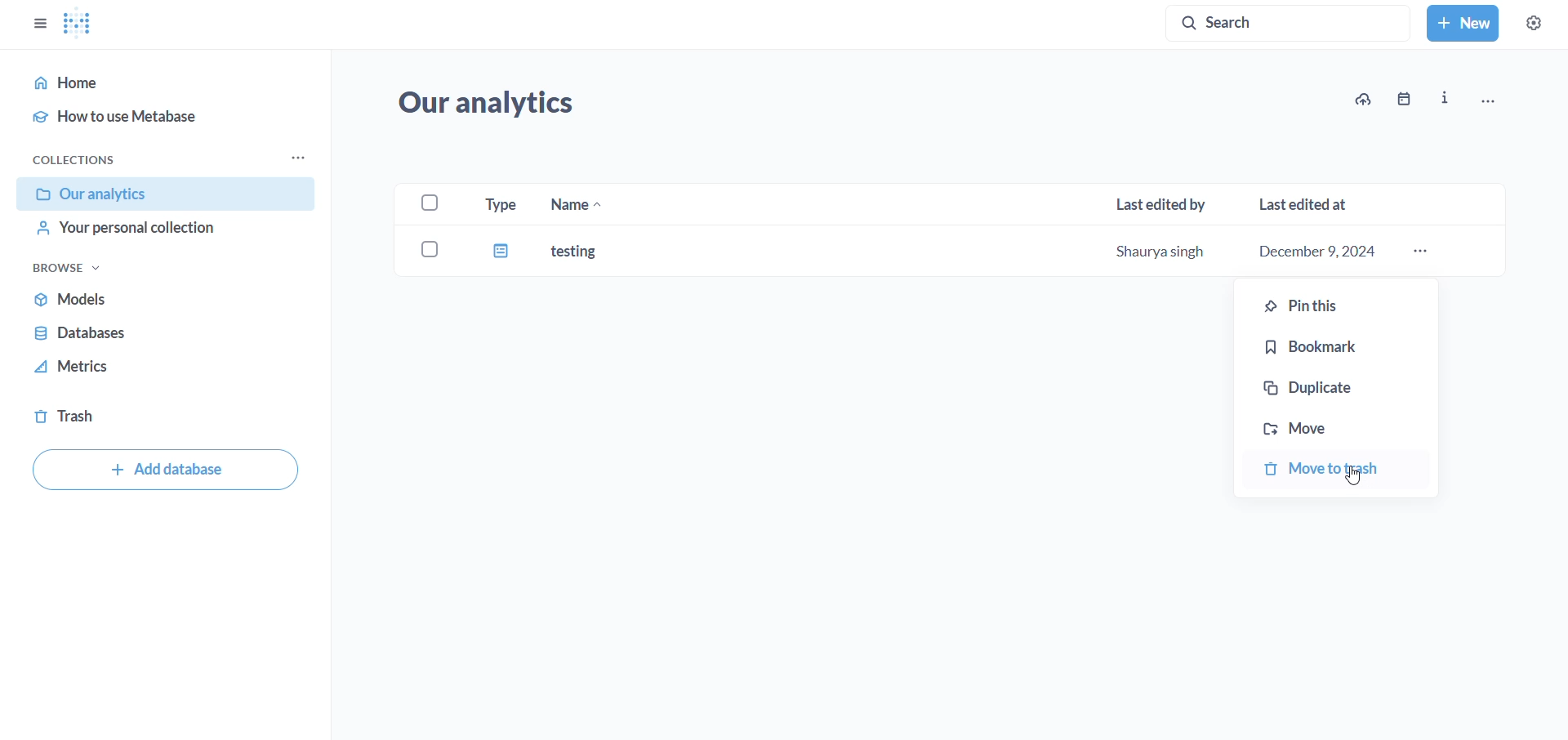 The image size is (1568, 740). I want to click on new button, so click(1462, 23).